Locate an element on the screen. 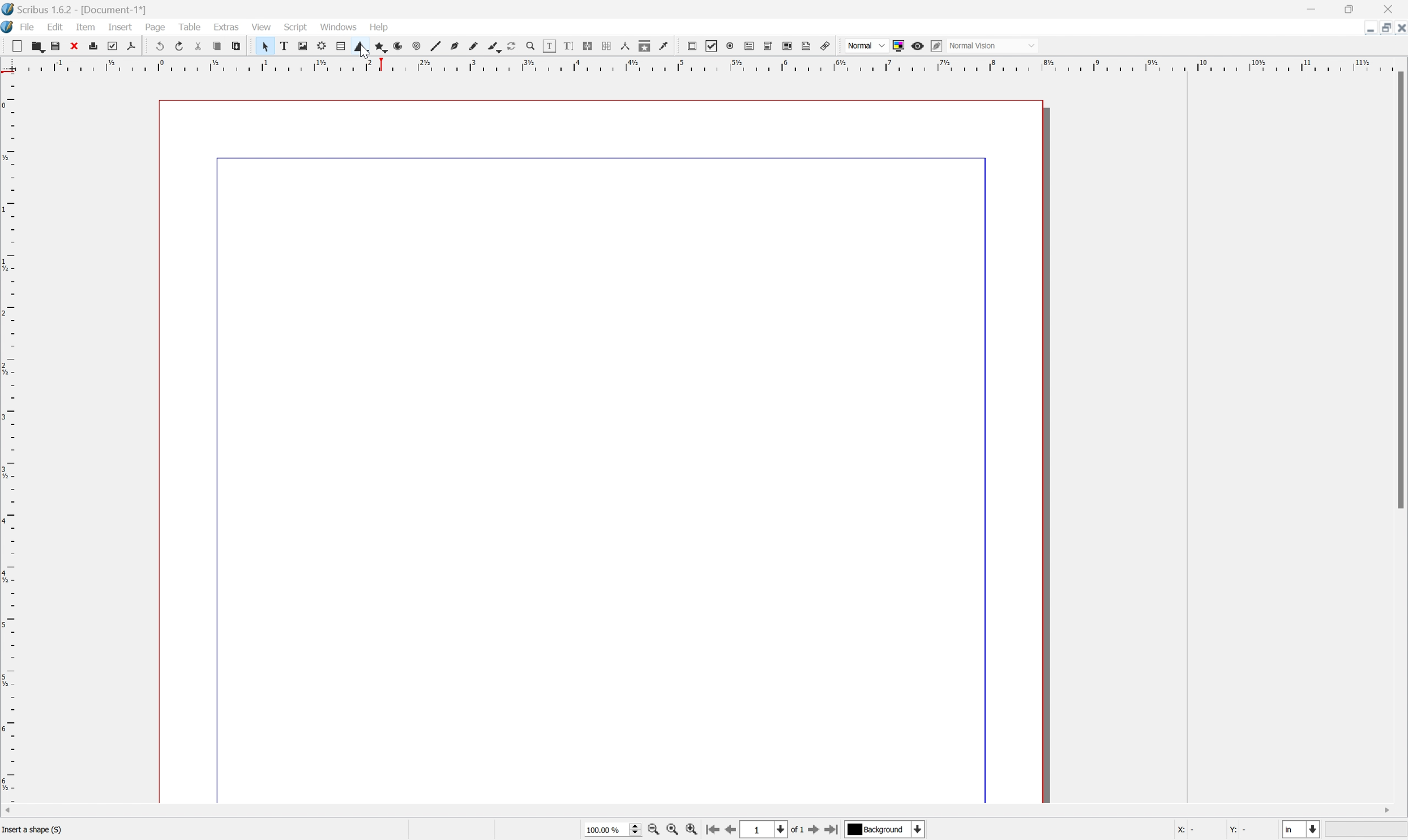 This screenshot has width=1408, height=840. Cut is located at coordinates (196, 46).